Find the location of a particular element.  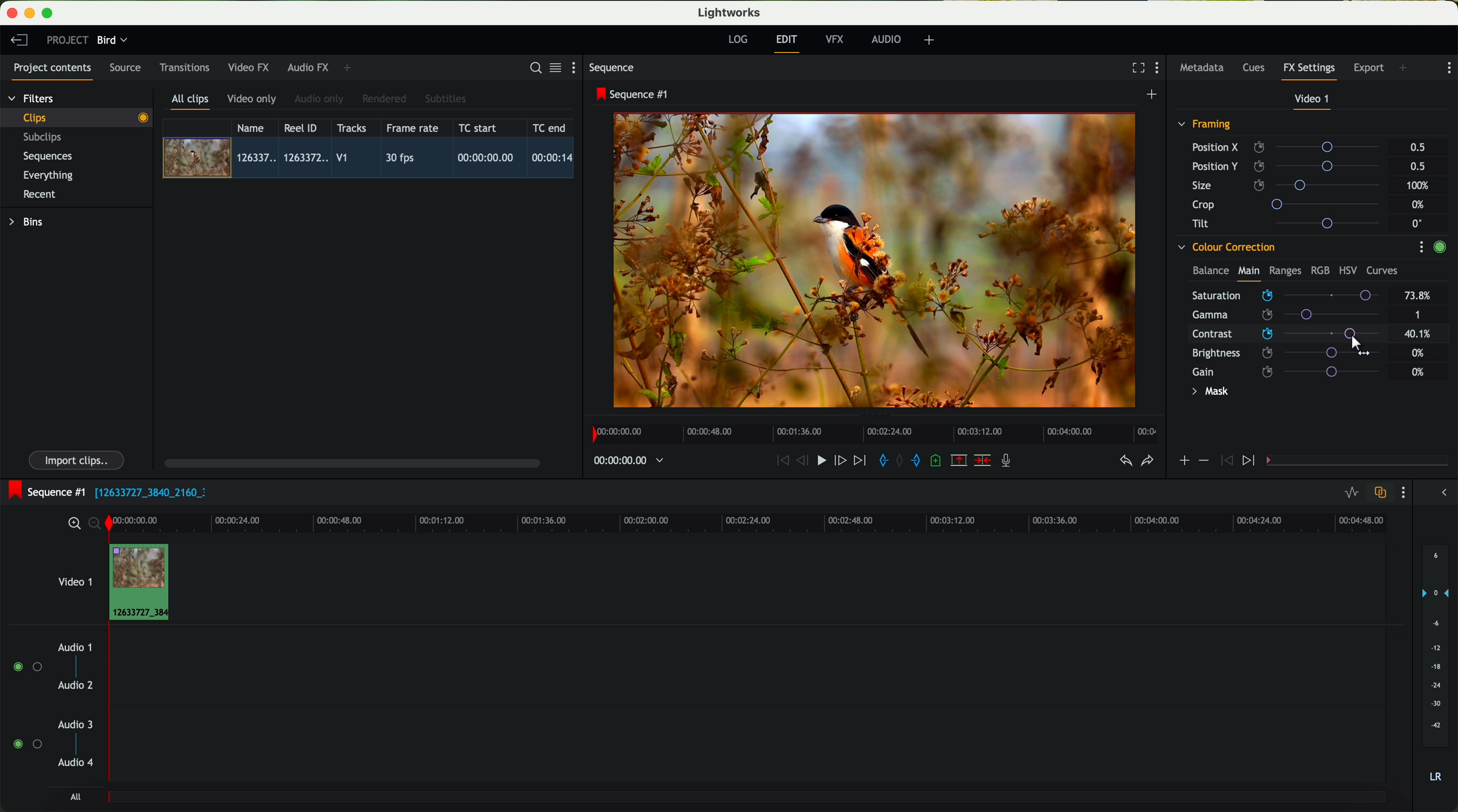

project contents is located at coordinates (53, 71).